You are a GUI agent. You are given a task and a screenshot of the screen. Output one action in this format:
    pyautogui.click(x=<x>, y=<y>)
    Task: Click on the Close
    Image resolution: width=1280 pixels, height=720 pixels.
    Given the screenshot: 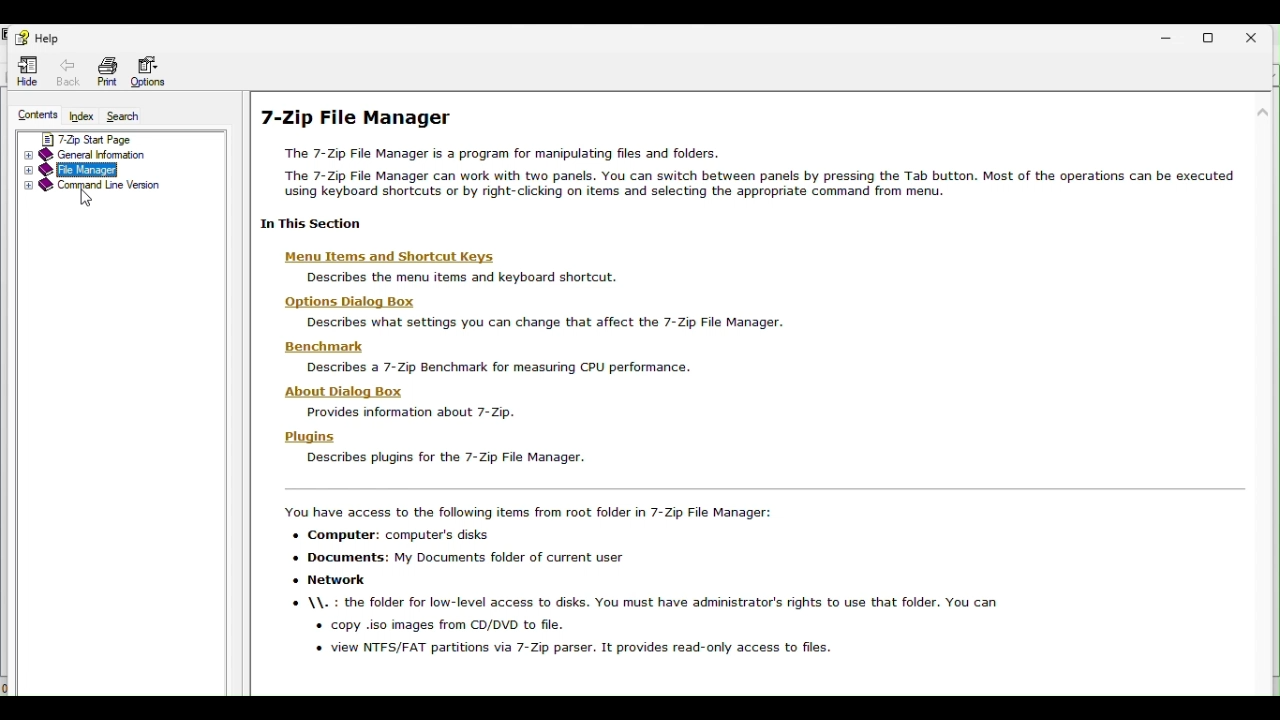 What is the action you would take?
    pyautogui.click(x=1263, y=37)
    